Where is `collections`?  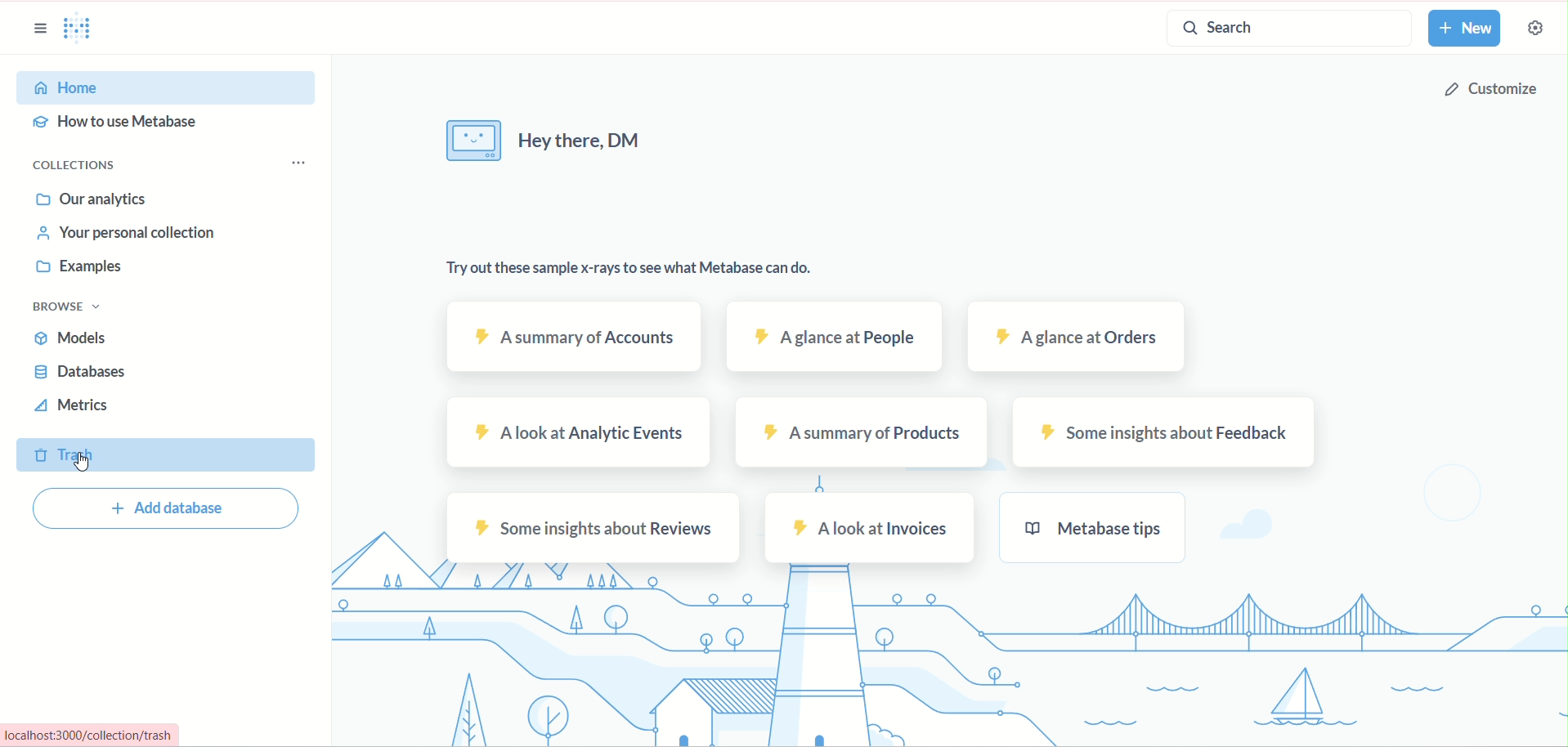 collections is located at coordinates (74, 163).